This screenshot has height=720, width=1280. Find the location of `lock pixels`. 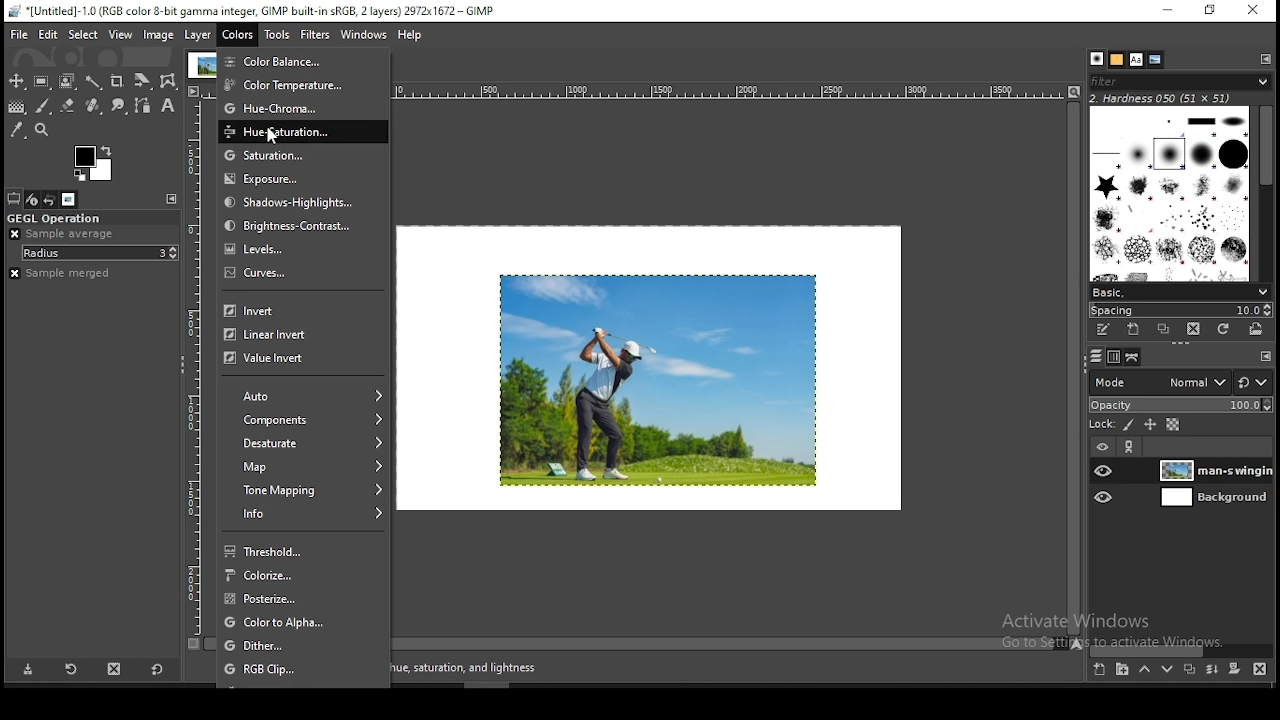

lock pixels is located at coordinates (1128, 425).